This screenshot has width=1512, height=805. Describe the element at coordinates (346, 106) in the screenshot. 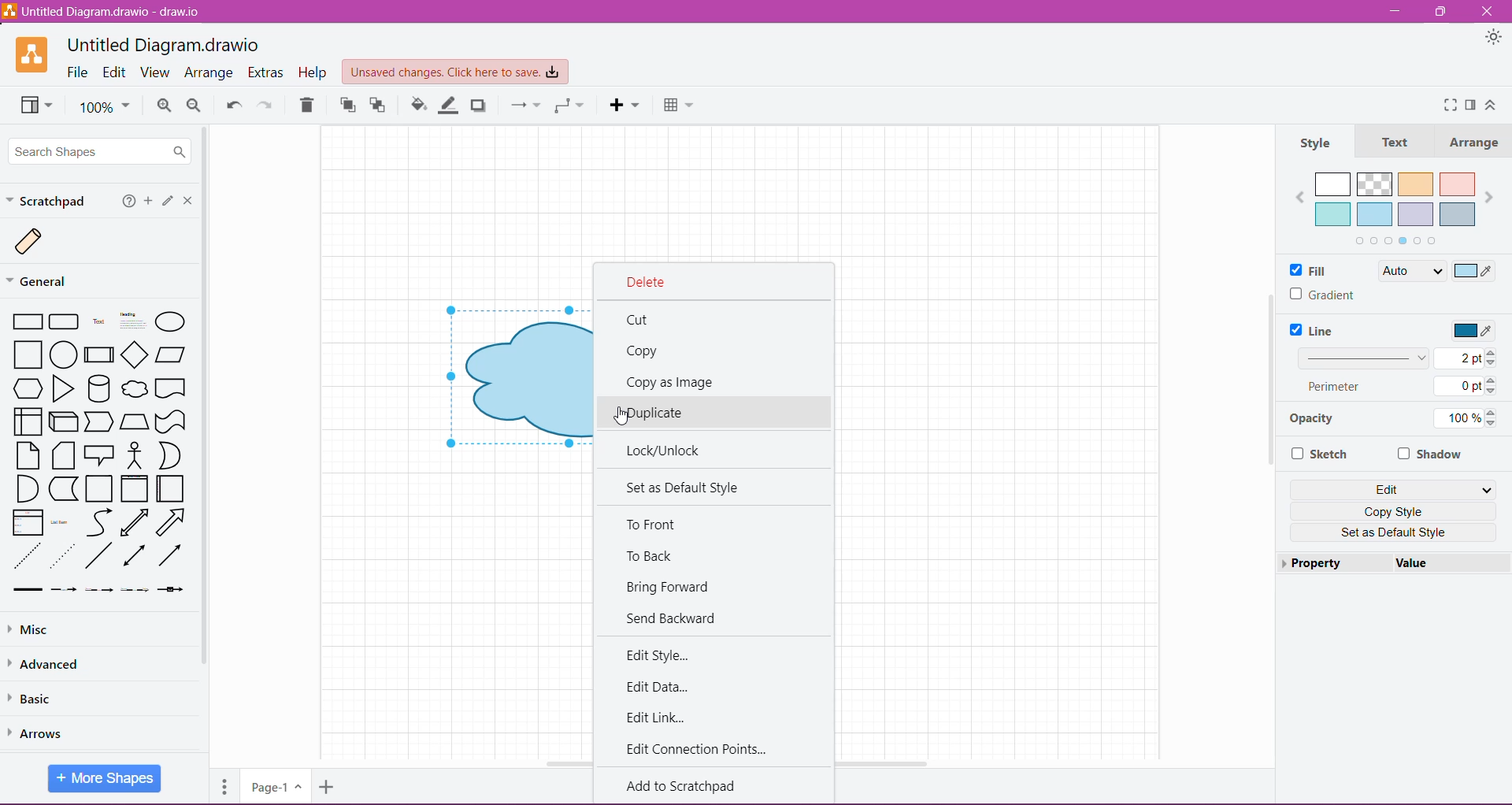

I see `To Front` at that location.